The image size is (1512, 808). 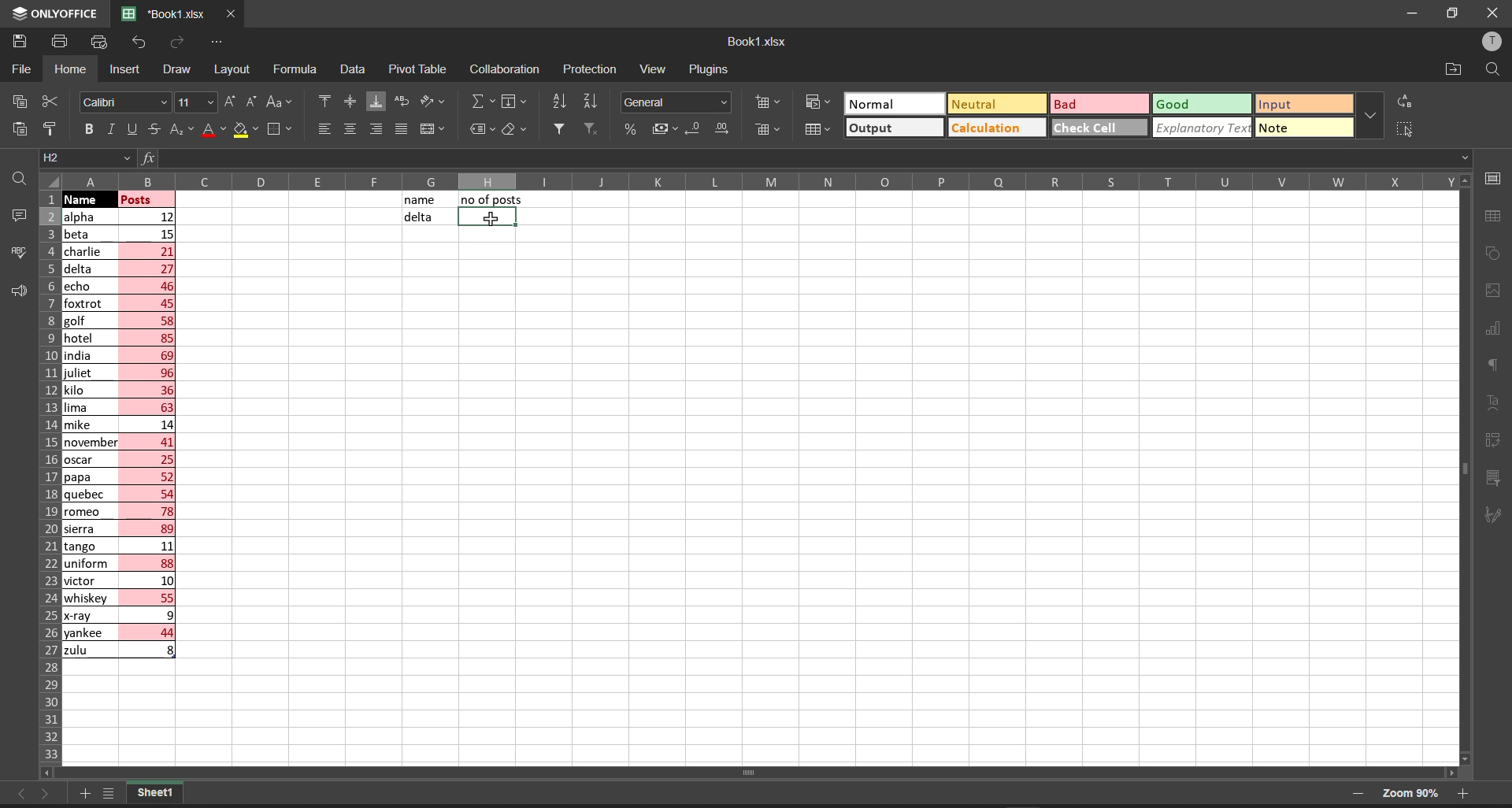 I want to click on draw, so click(x=174, y=69).